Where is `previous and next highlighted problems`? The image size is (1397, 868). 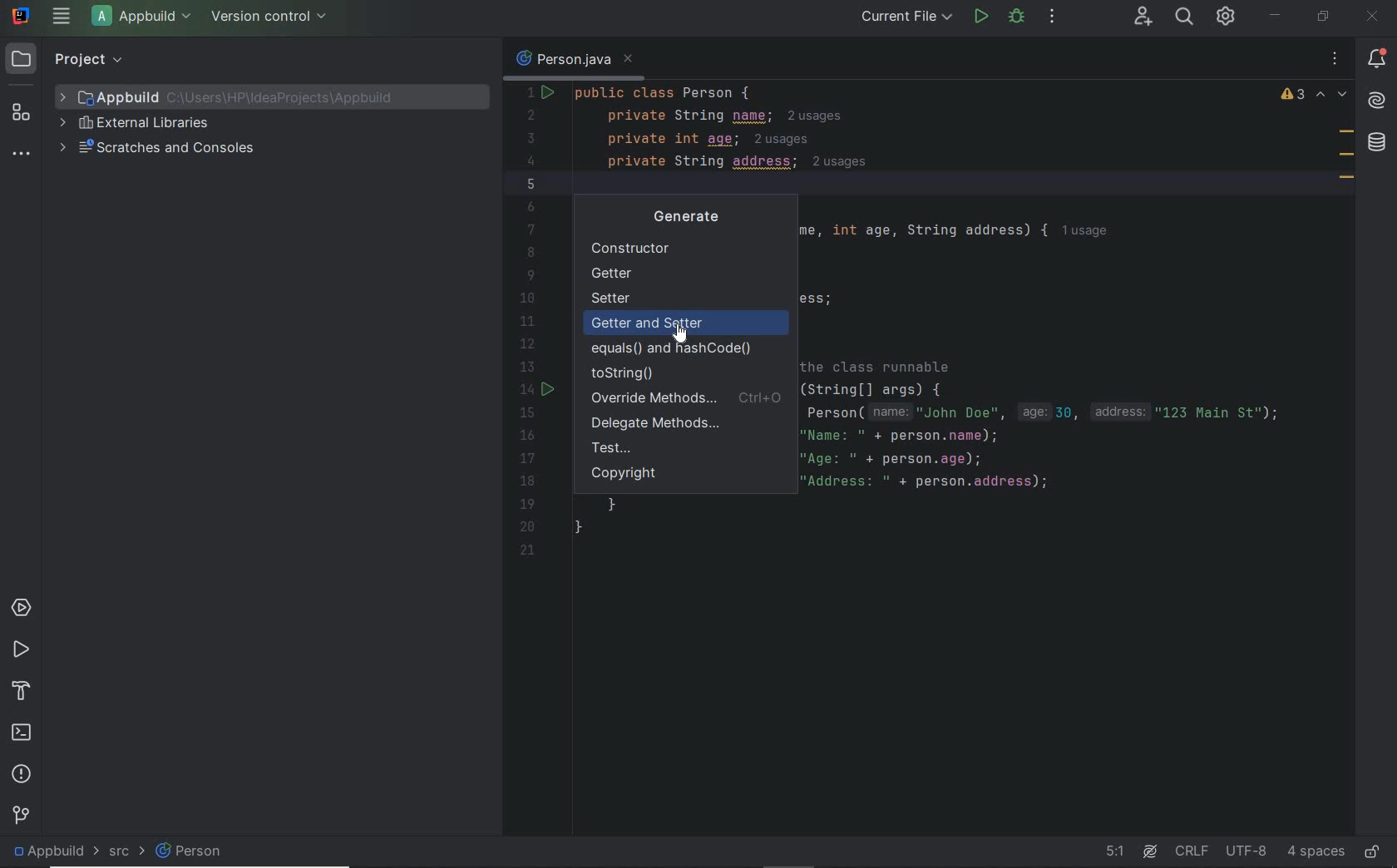
previous and next highlighted problems is located at coordinates (1332, 96).